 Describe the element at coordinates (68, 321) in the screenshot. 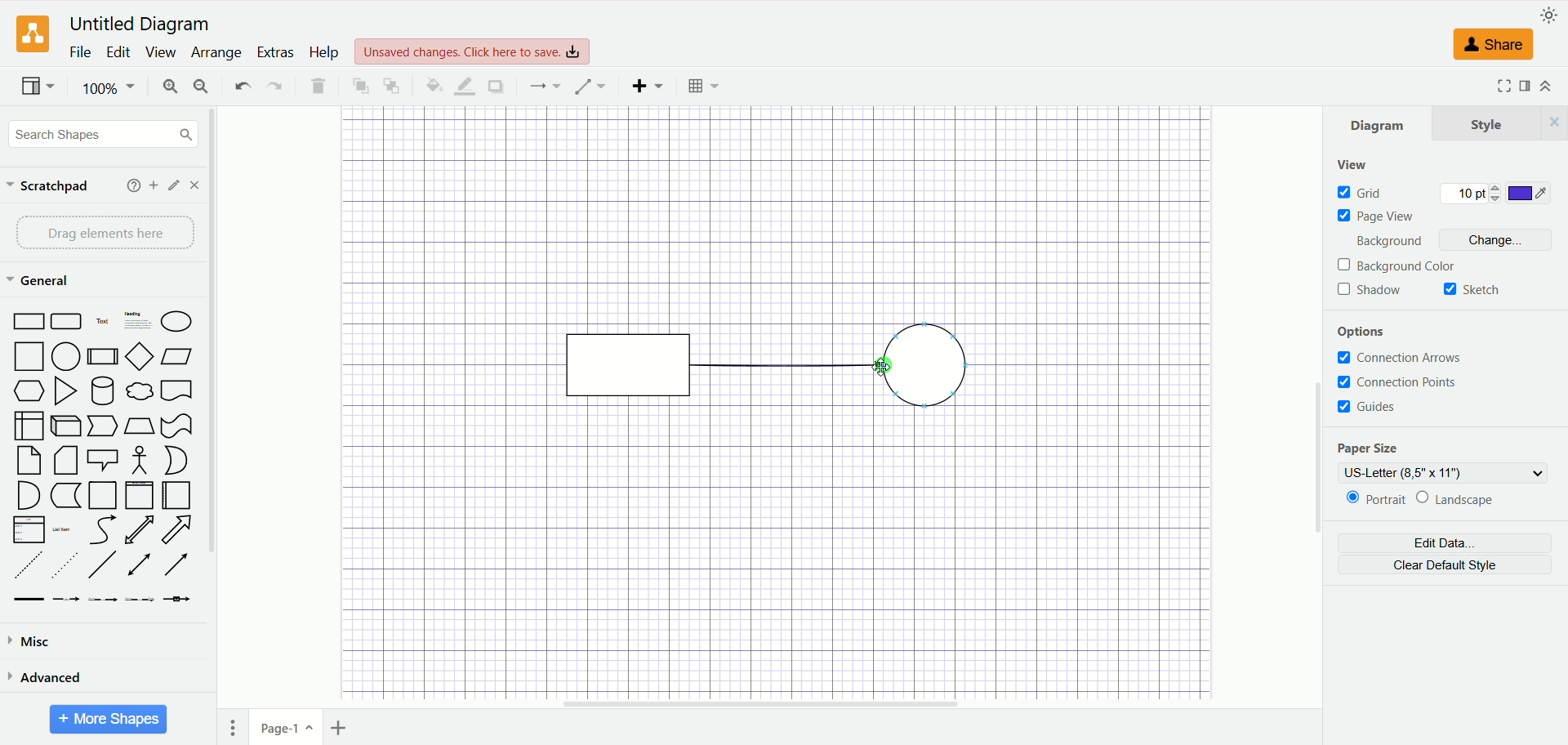

I see `Curved Edge Rectangle` at that location.